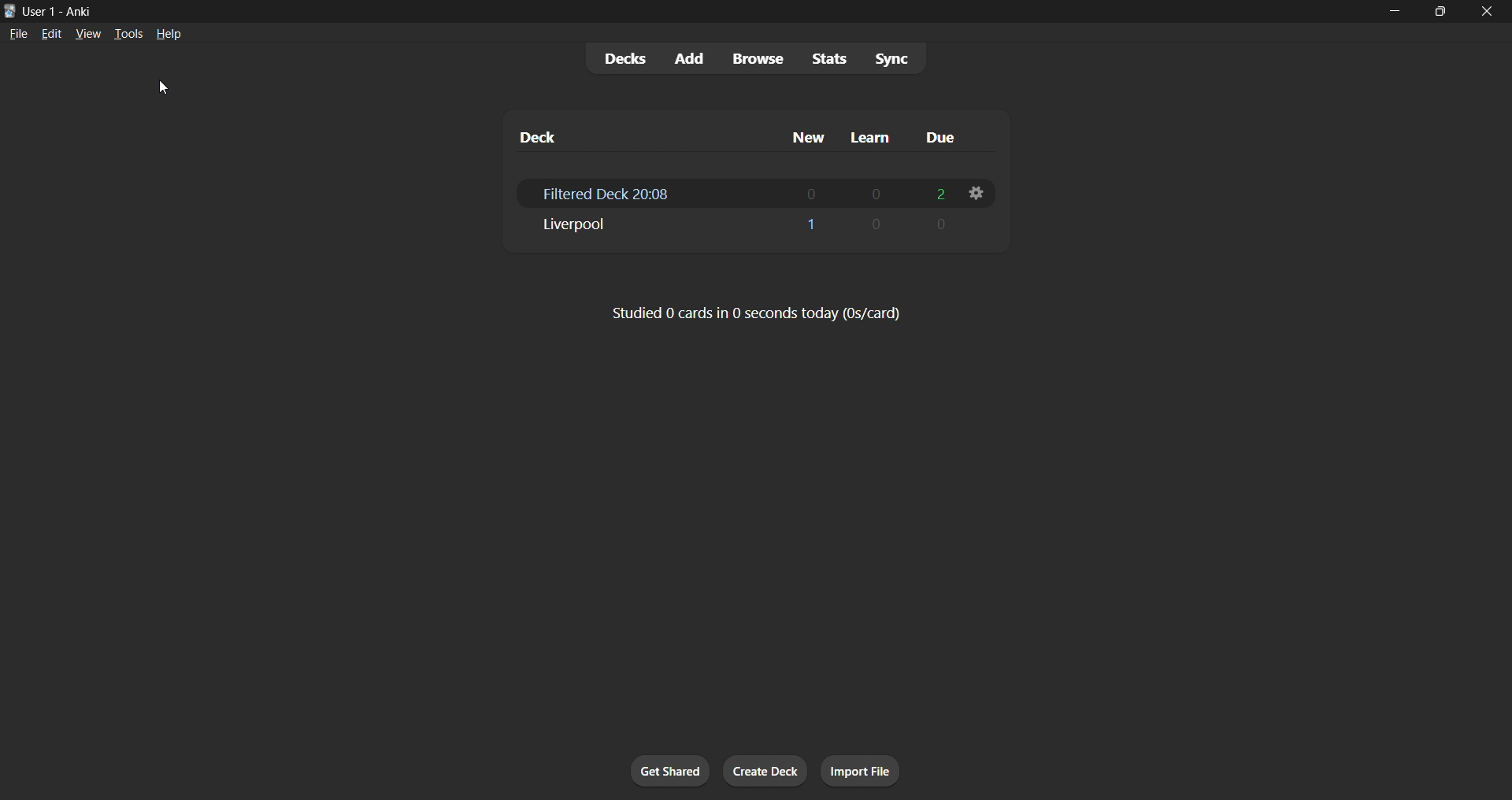 The width and height of the screenshot is (1512, 800). What do you see at coordinates (619, 59) in the screenshot?
I see `decks` at bounding box center [619, 59].